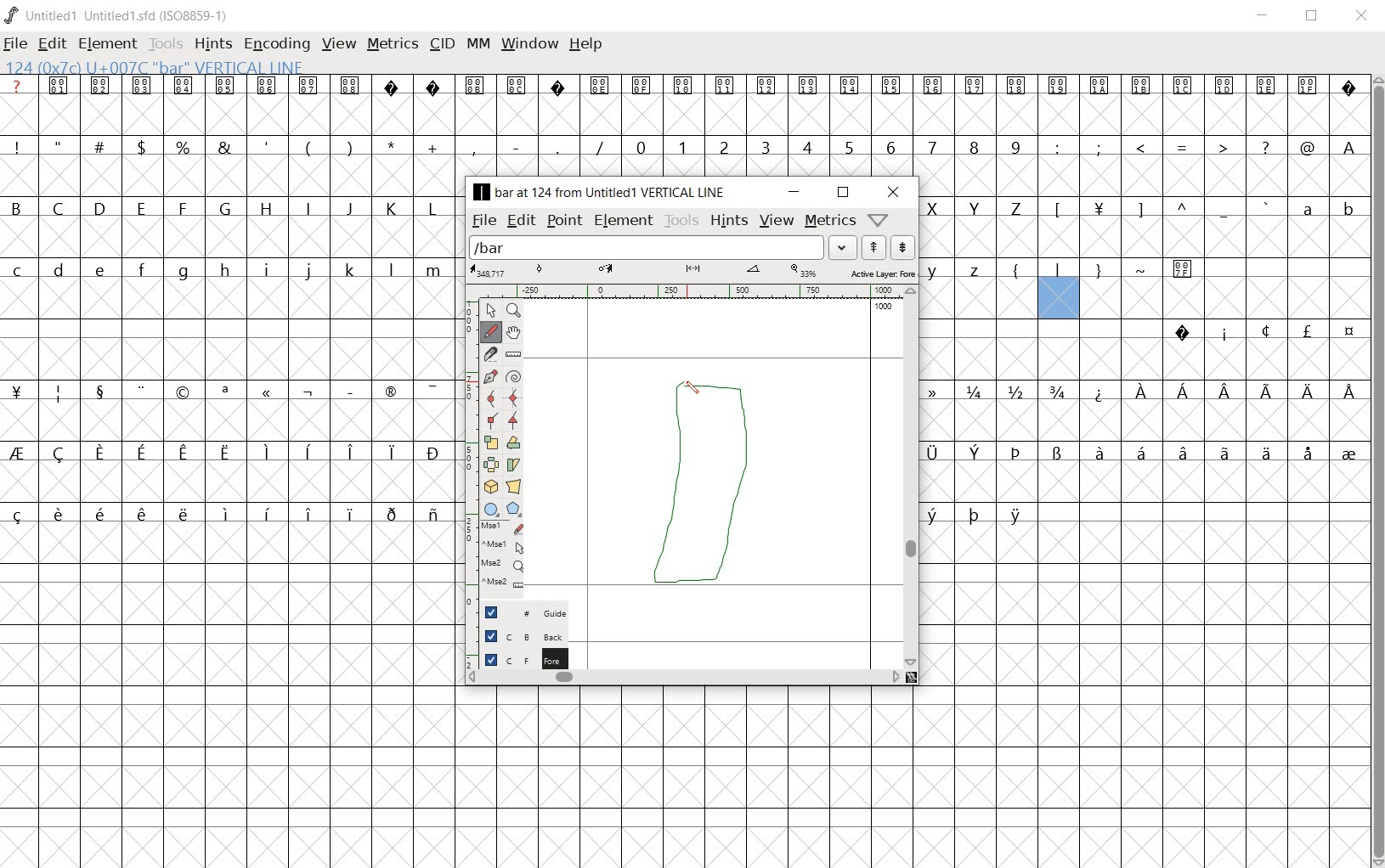 Image resolution: width=1385 pixels, height=868 pixels. Describe the element at coordinates (623, 220) in the screenshot. I see `element` at that location.